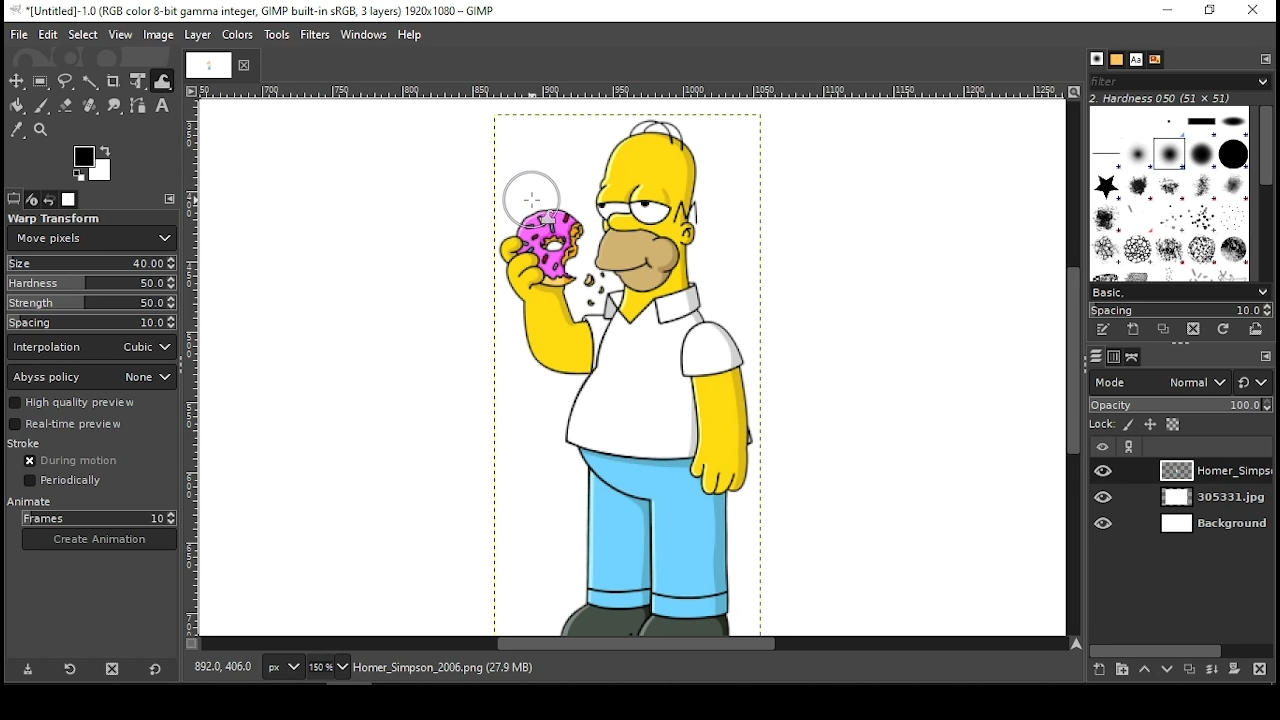 The width and height of the screenshot is (1280, 720). Describe the element at coordinates (457, 669) in the screenshot. I see `homer_simpson_2006.png (27.9 mb)` at that location.